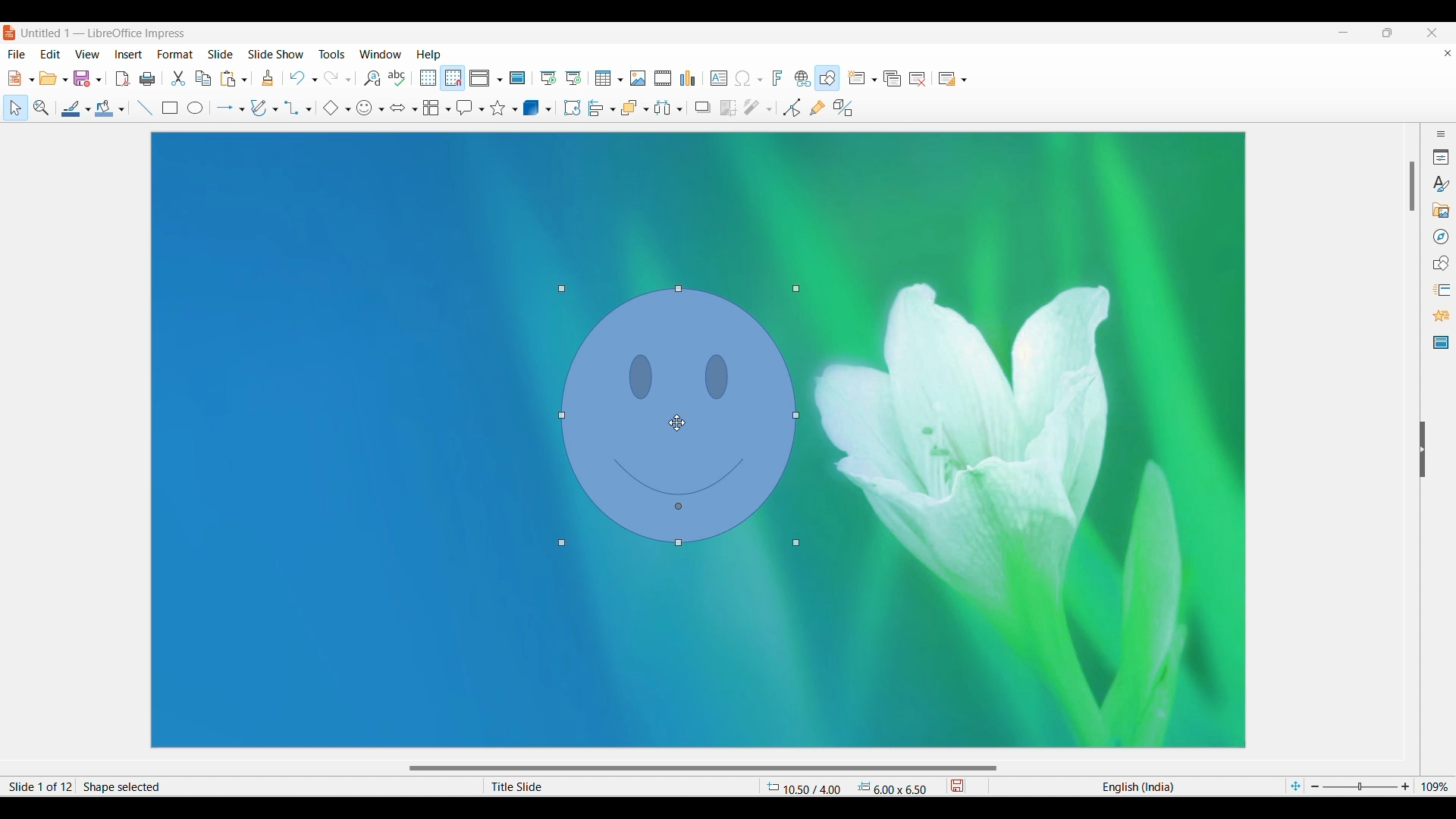  What do you see at coordinates (647, 109) in the screenshot?
I see `Arrange options` at bounding box center [647, 109].